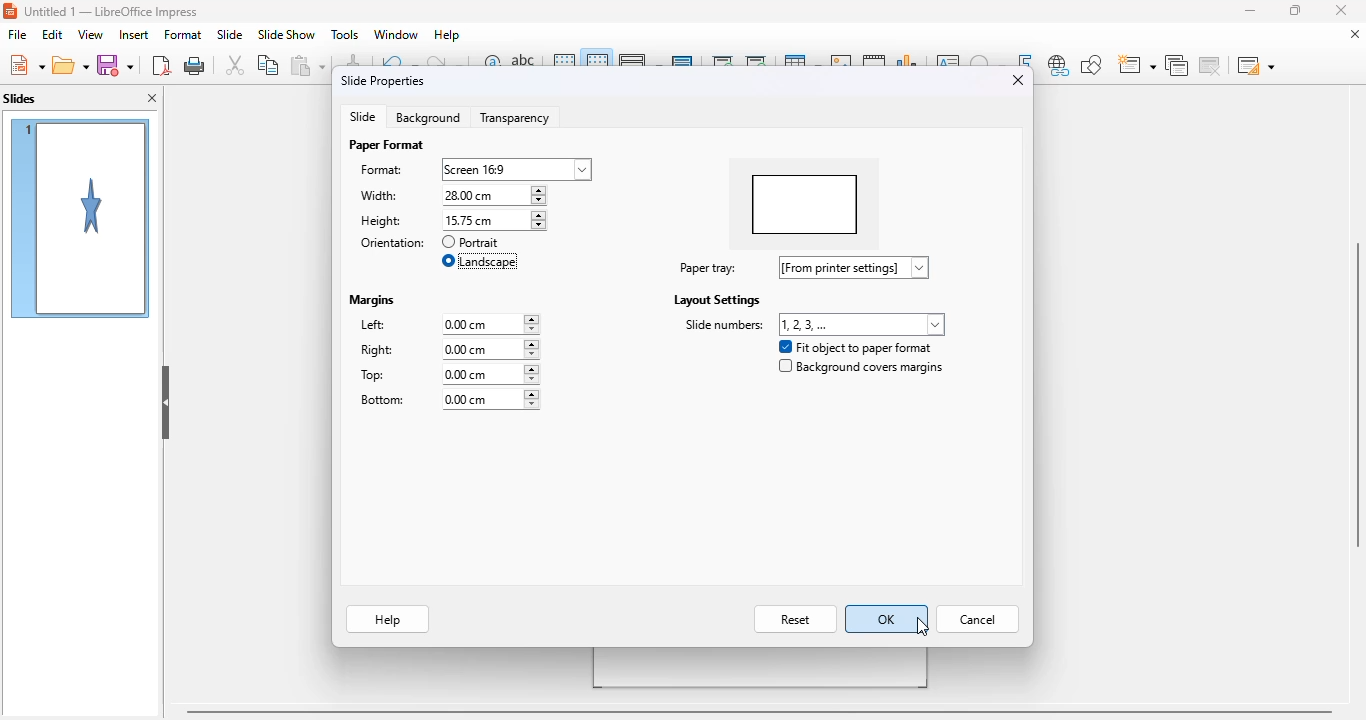 The height and width of the screenshot is (720, 1366). What do you see at coordinates (1210, 65) in the screenshot?
I see `delete slide` at bounding box center [1210, 65].